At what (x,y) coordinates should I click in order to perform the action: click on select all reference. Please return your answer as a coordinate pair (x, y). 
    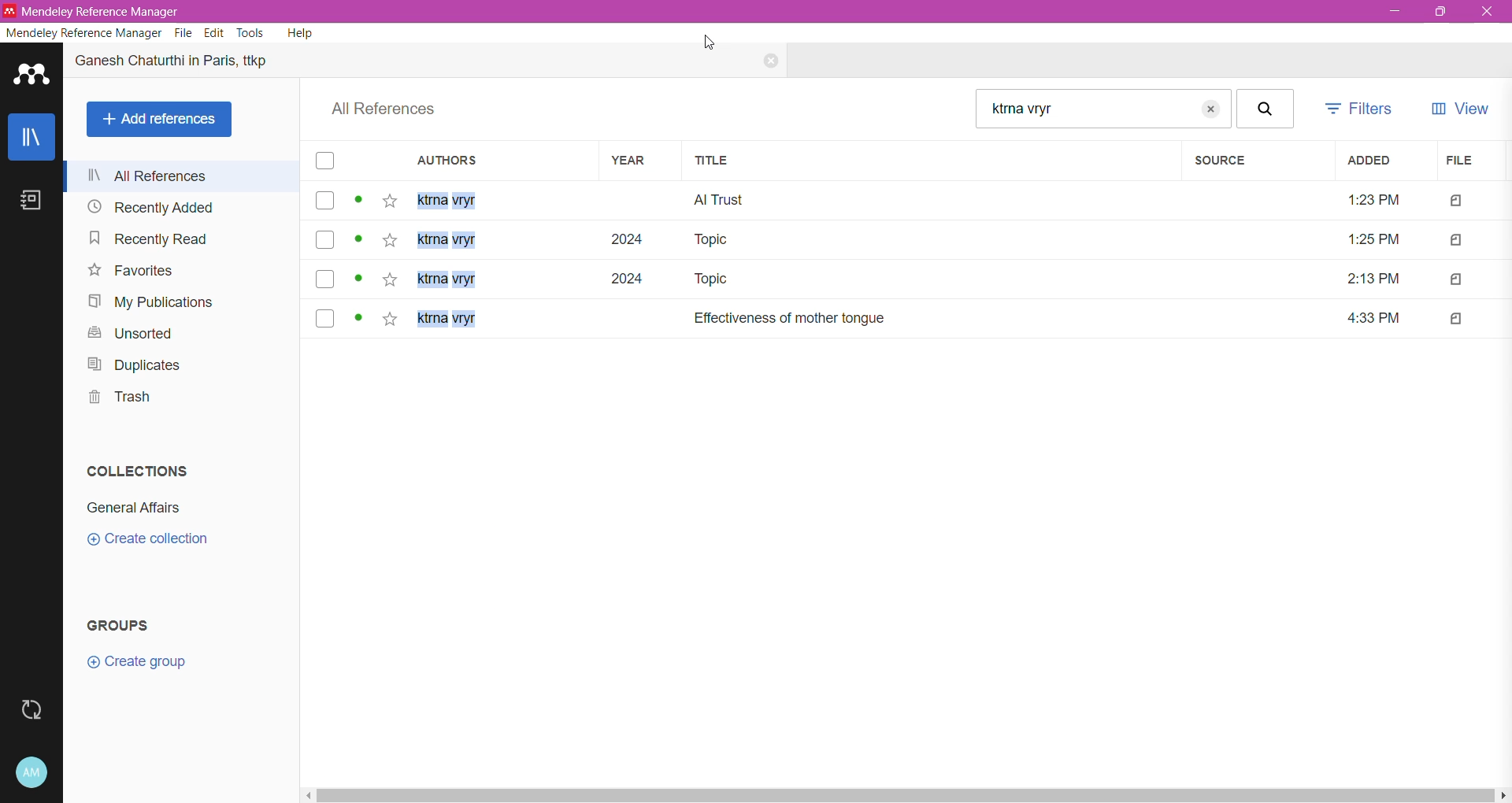
    Looking at the image, I should click on (328, 161).